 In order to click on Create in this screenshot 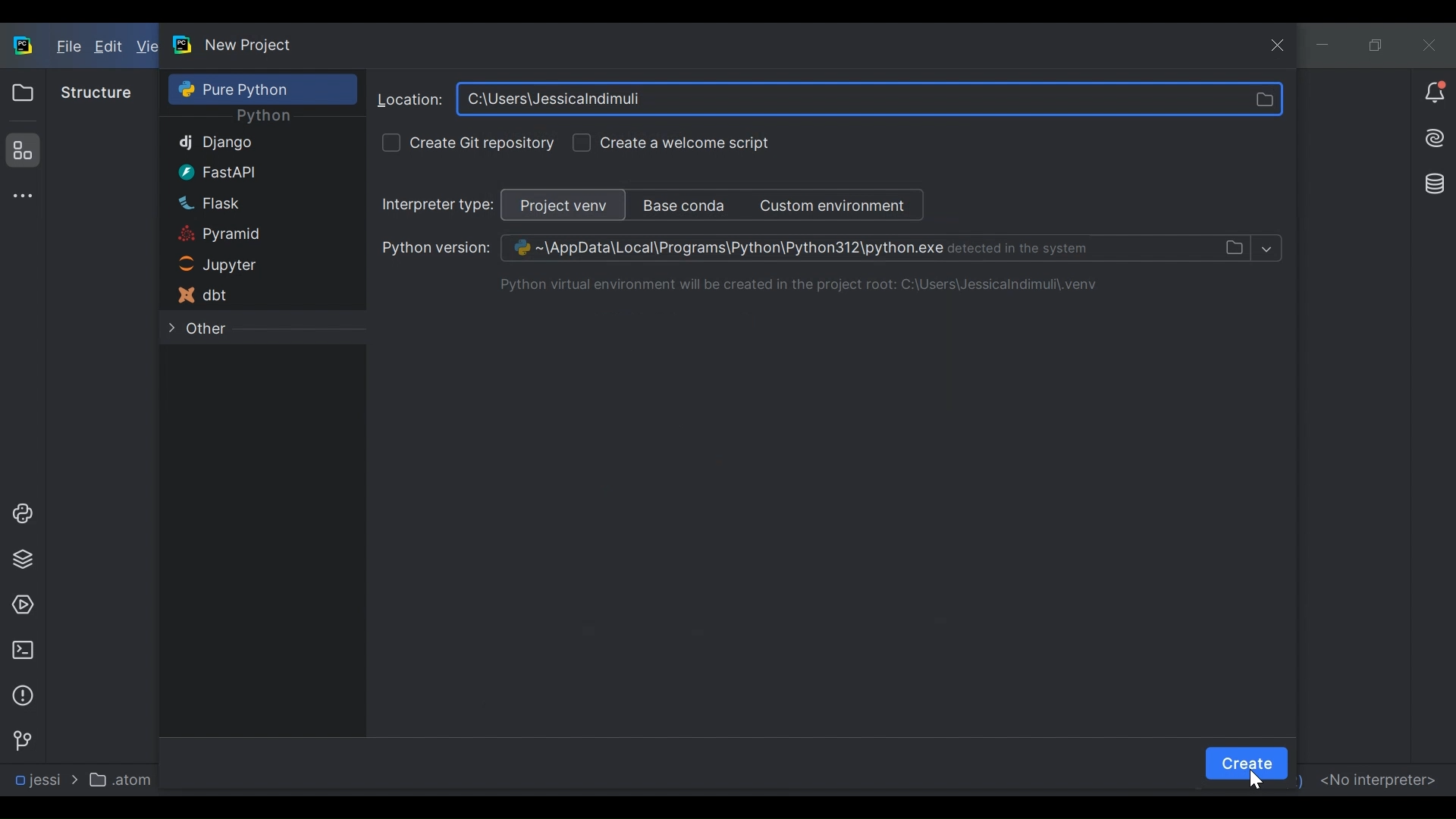, I will do `click(1247, 763)`.